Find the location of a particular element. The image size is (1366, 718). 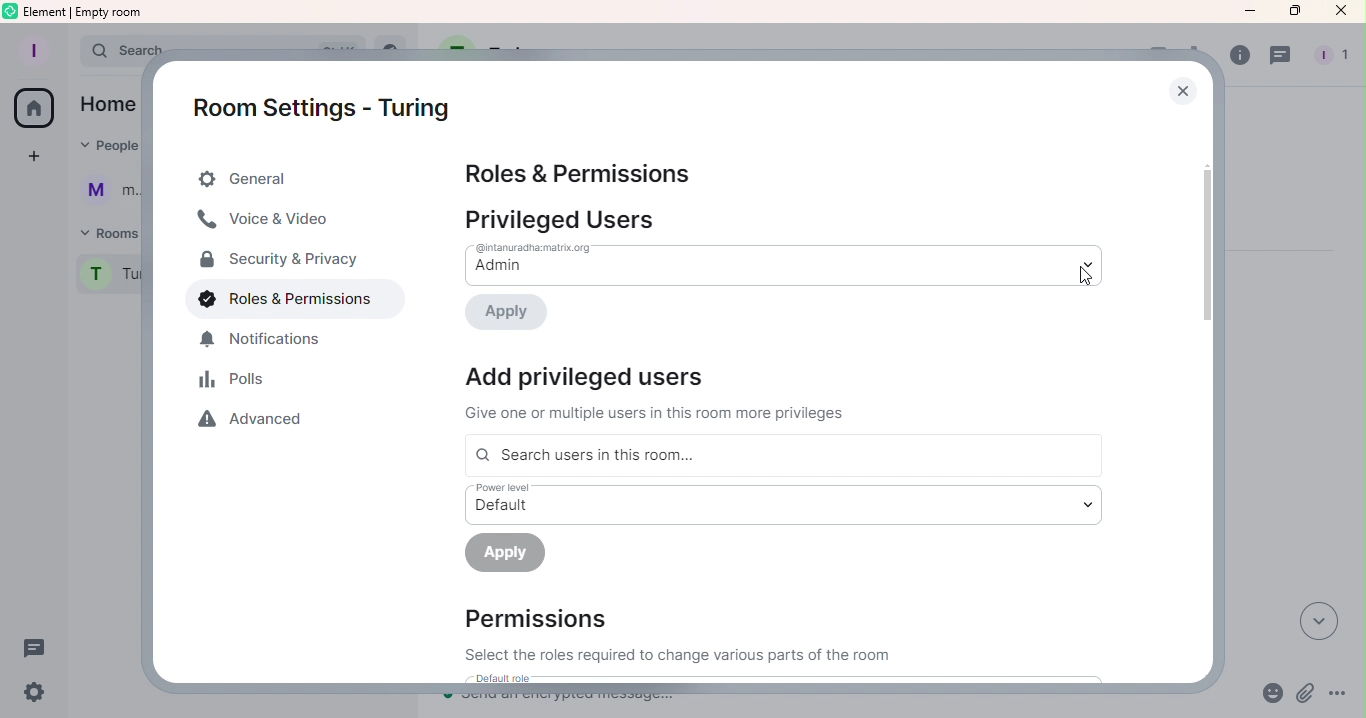

Scroll to most recent messages is located at coordinates (1315, 621).